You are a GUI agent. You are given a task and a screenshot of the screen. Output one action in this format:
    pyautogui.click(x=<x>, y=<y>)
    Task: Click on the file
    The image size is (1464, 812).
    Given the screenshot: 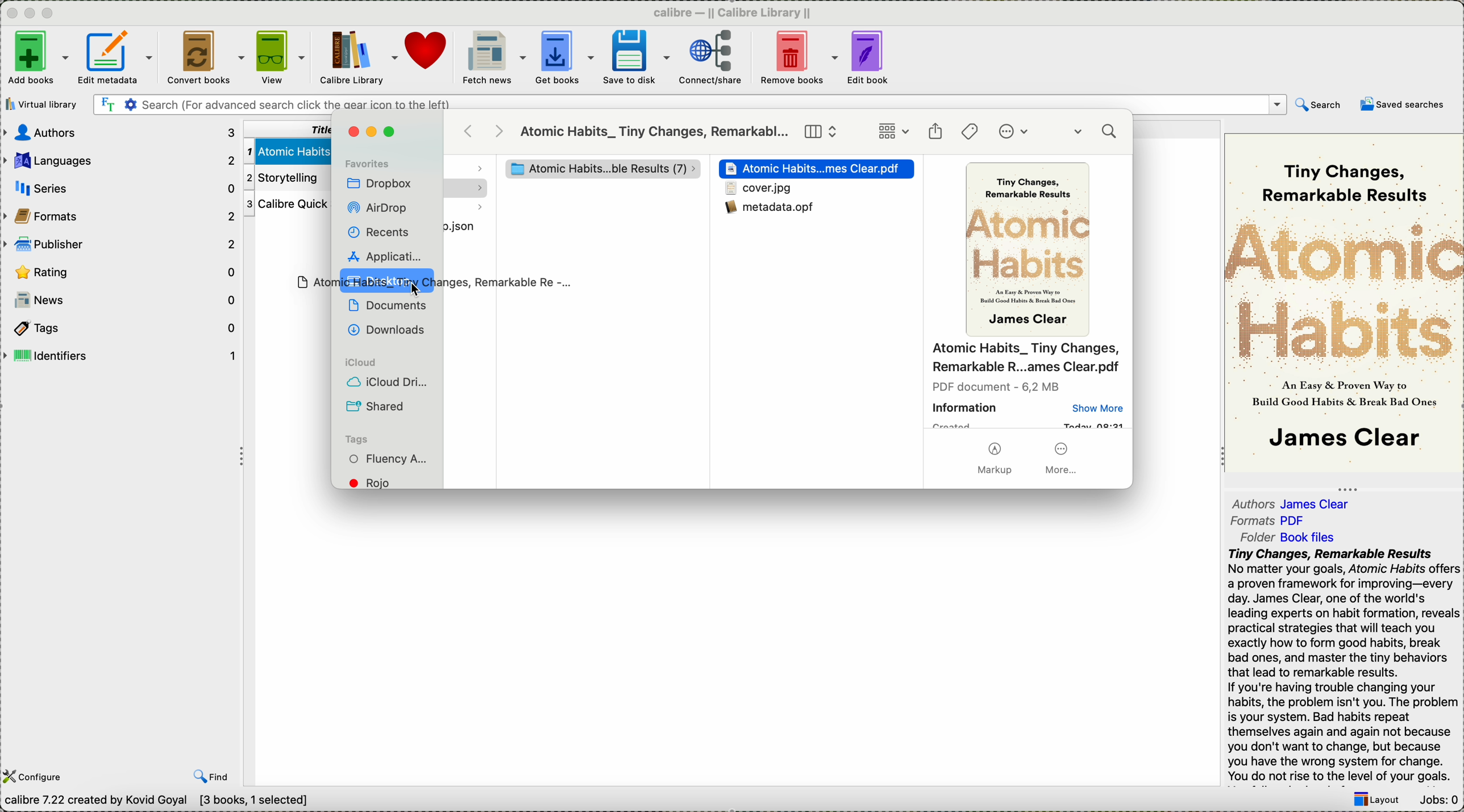 What is the action you would take?
    pyautogui.click(x=469, y=224)
    